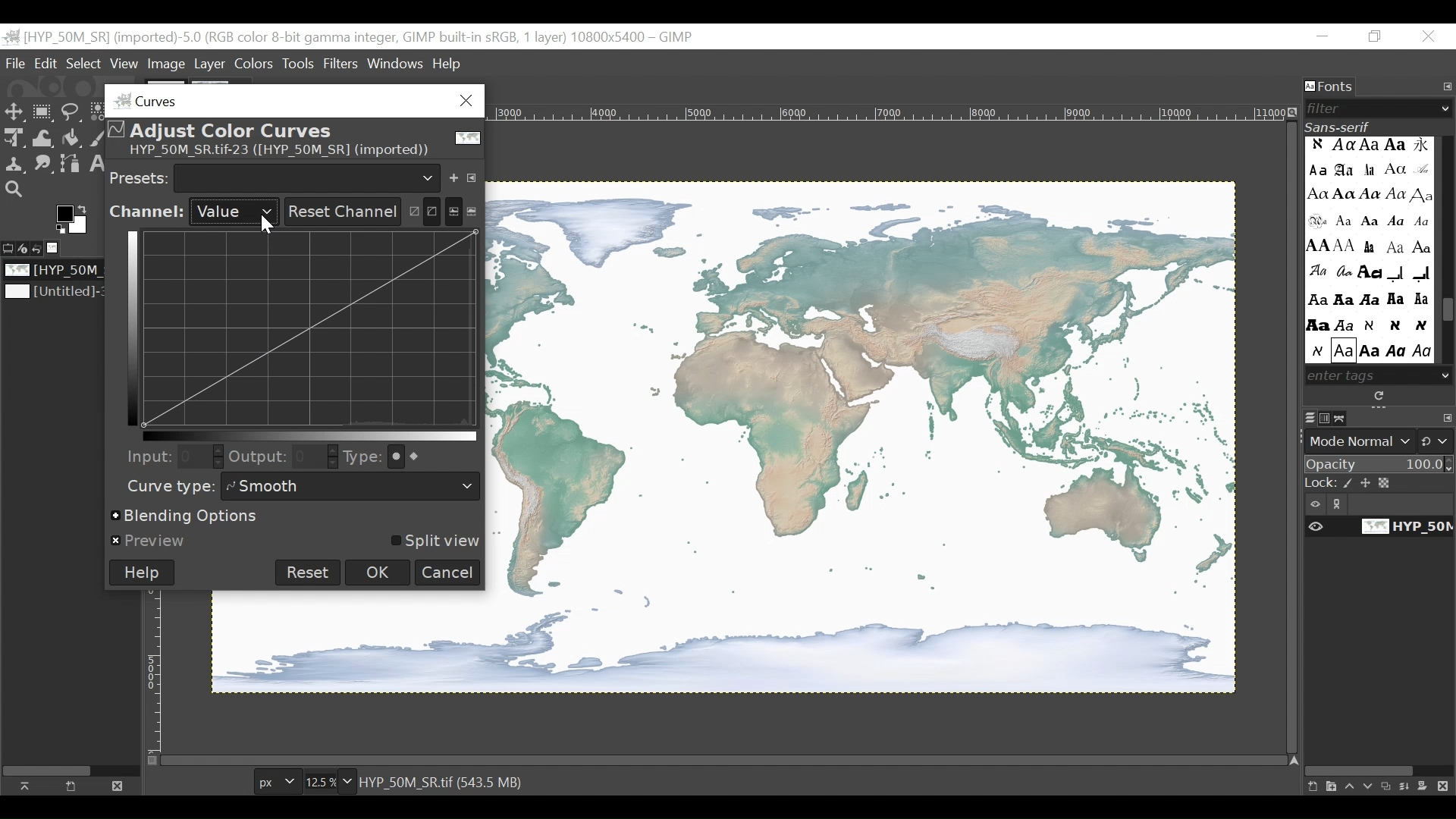  I want to click on Image, so click(862, 438).